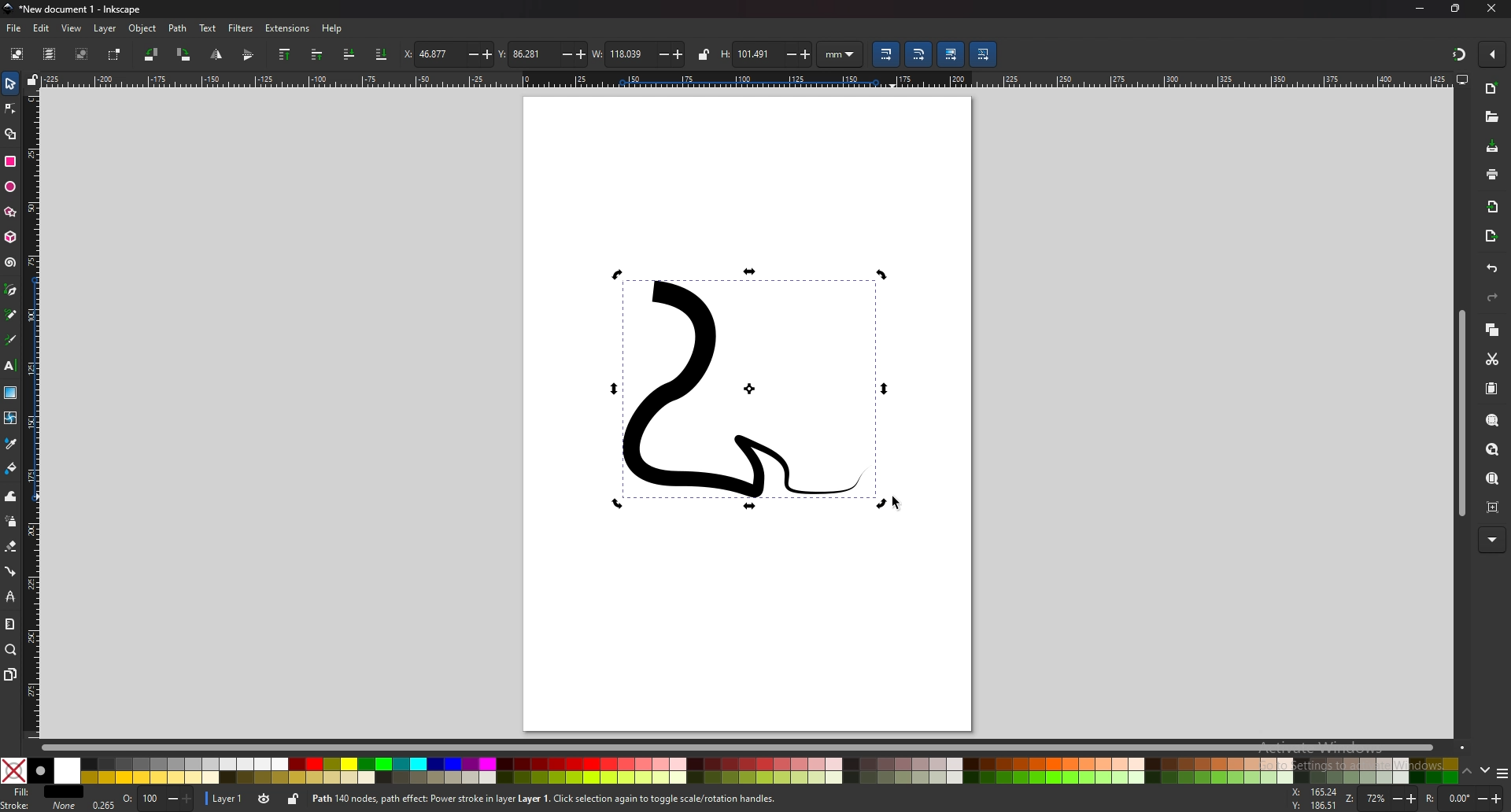  What do you see at coordinates (1491, 268) in the screenshot?
I see `UNDO` at bounding box center [1491, 268].